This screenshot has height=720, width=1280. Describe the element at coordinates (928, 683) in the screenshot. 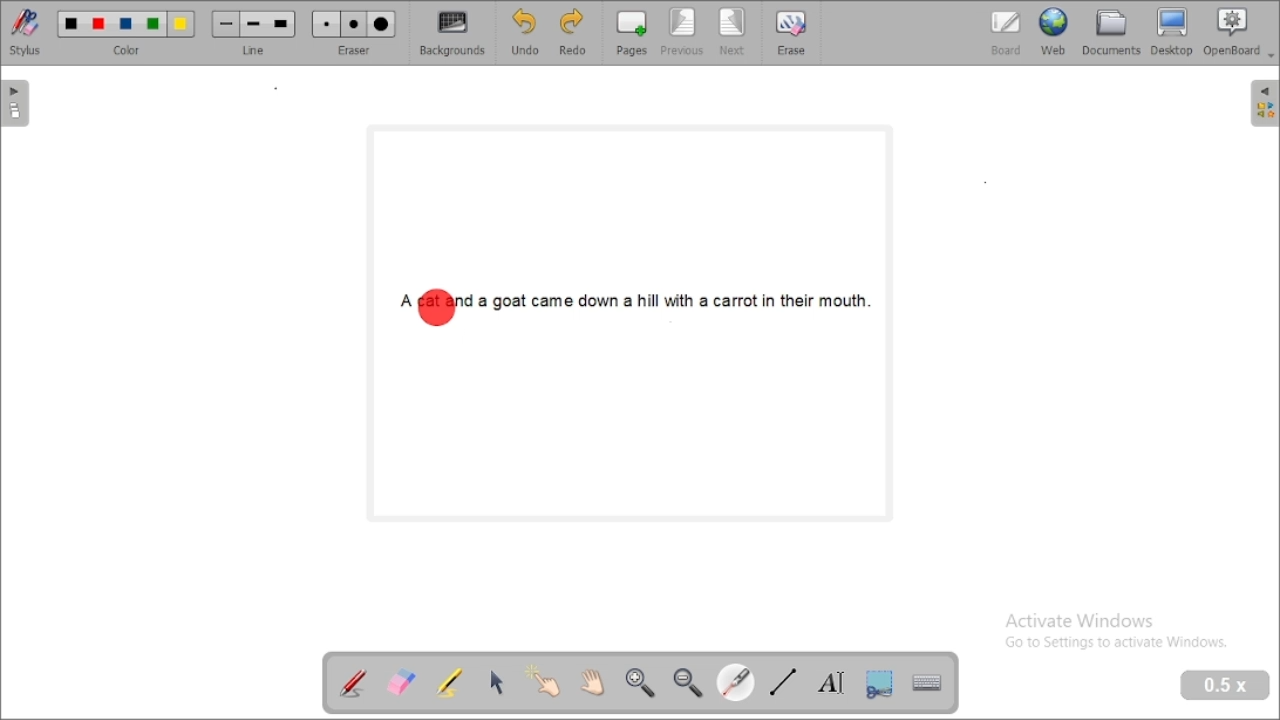

I see `display virtual keyboard` at that location.